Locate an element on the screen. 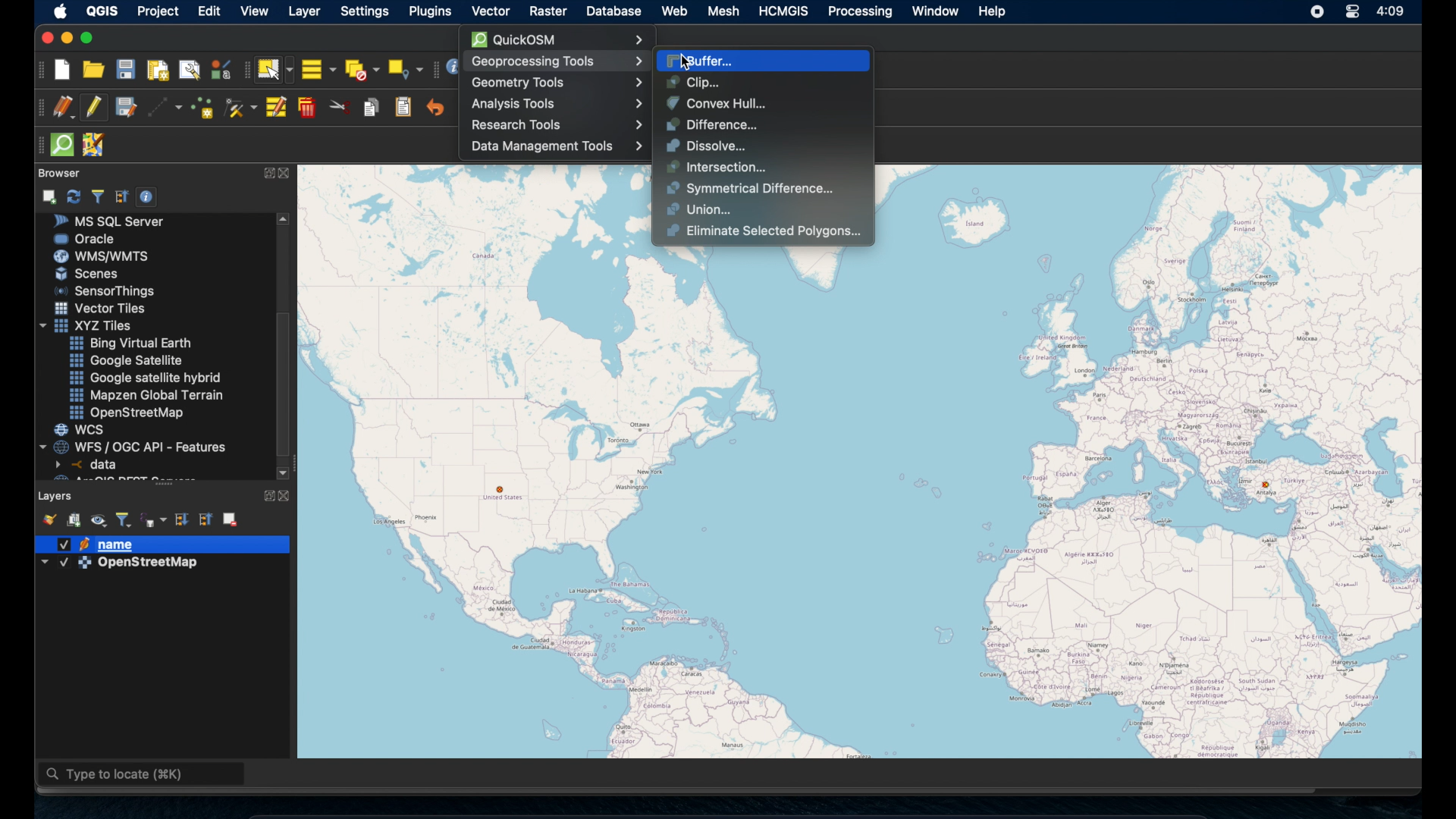 The height and width of the screenshot is (819, 1456). help is located at coordinates (993, 11).